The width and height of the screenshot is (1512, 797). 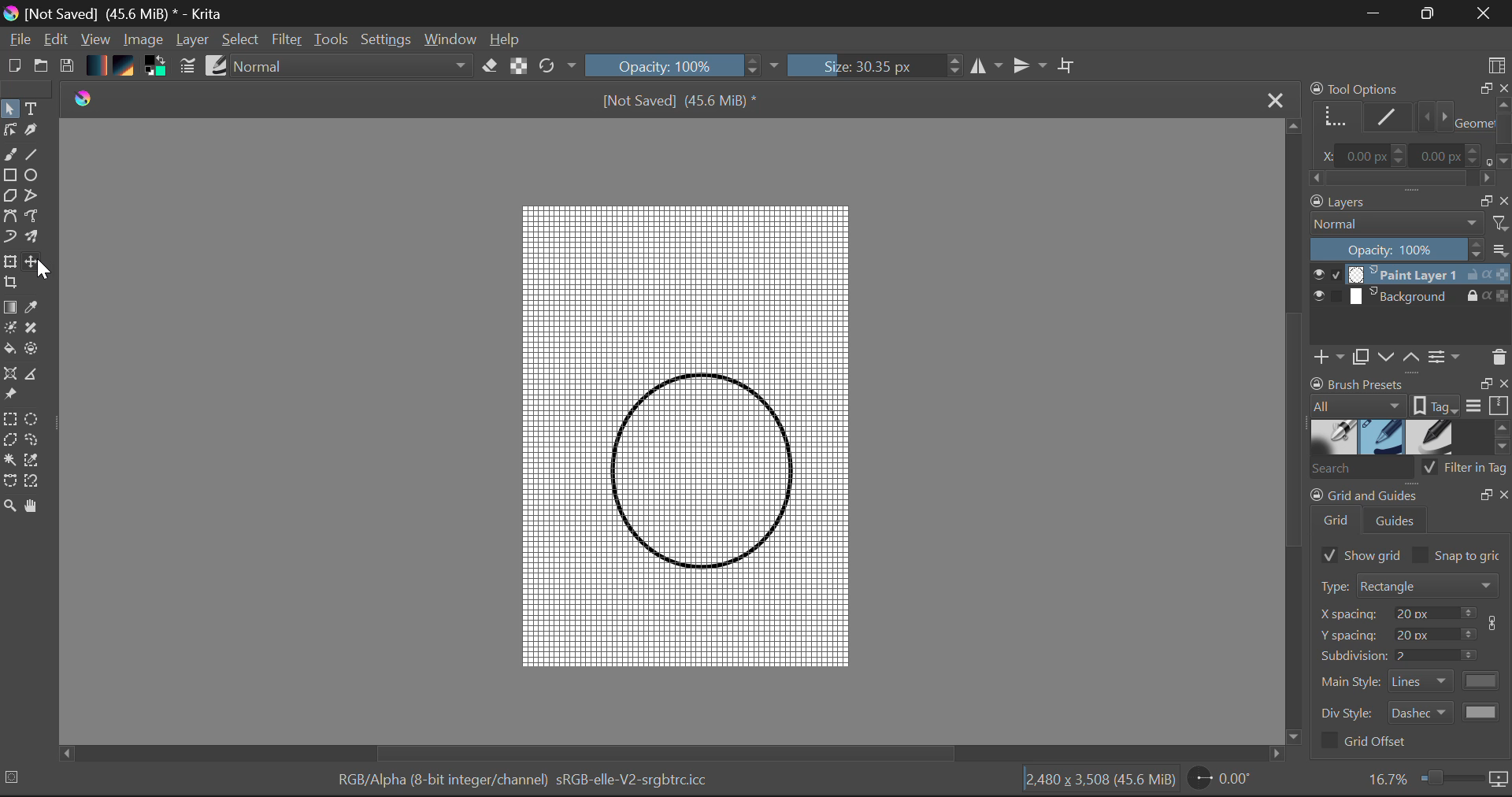 I want to click on New, so click(x=11, y=67).